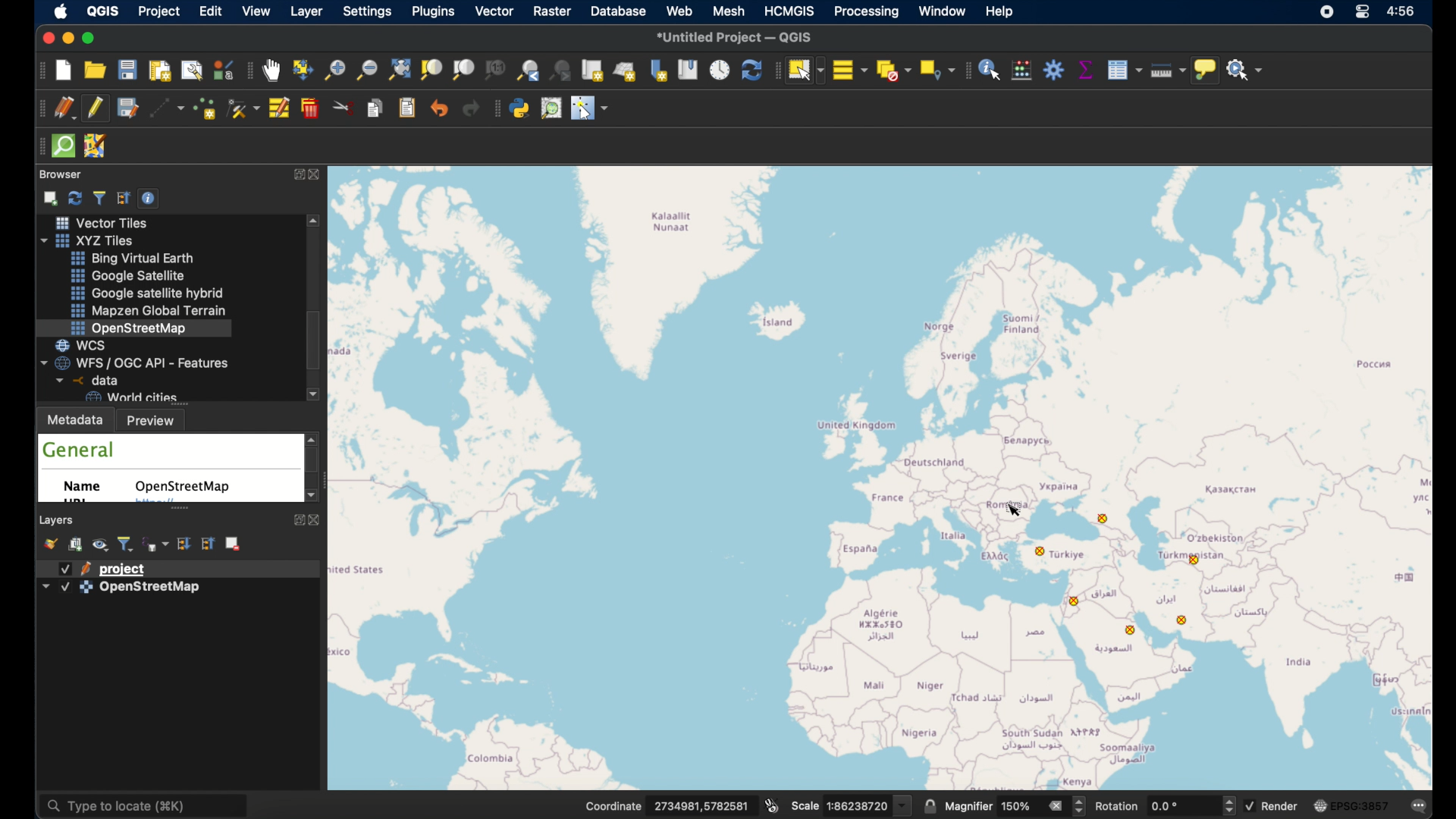  Describe the element at coordinates (1168, 805) in the screenshot. I see `rotation value` at that location.